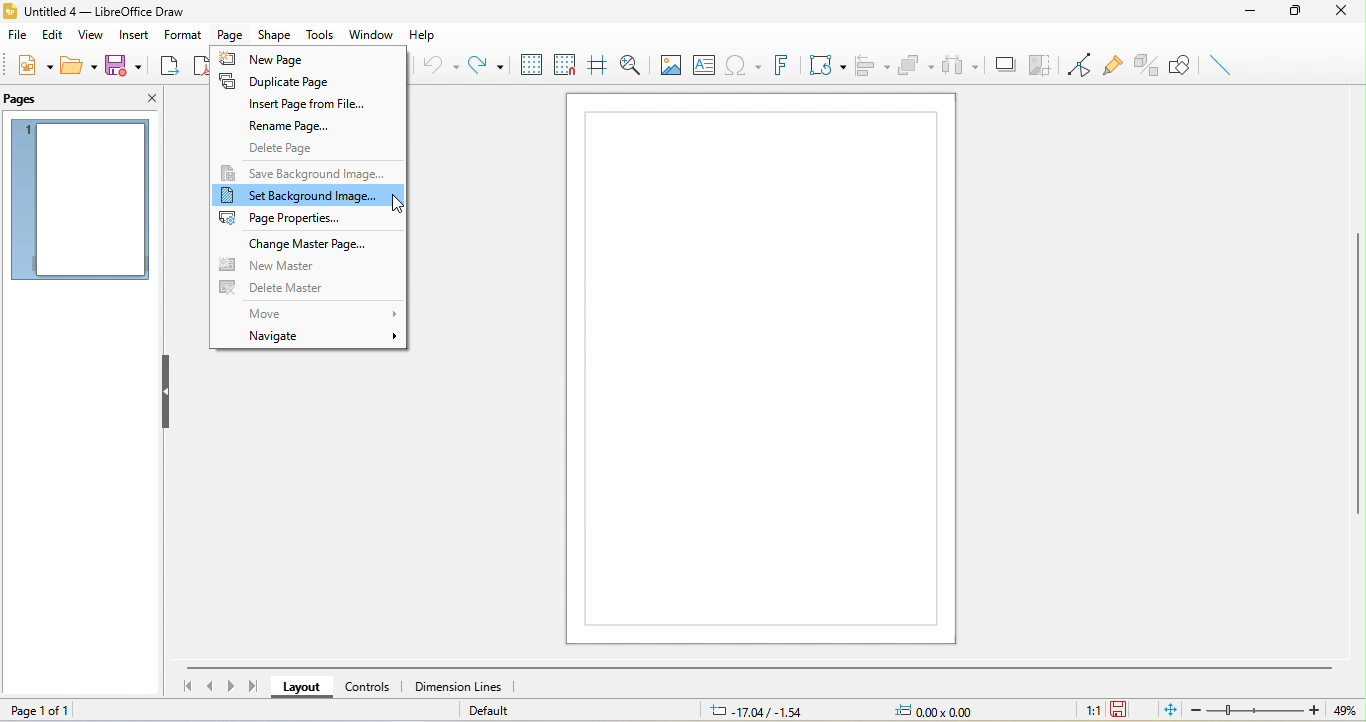 The width and height of the screenshot is (1366, 722). I want to click on show draw function, so click(1180, 65).